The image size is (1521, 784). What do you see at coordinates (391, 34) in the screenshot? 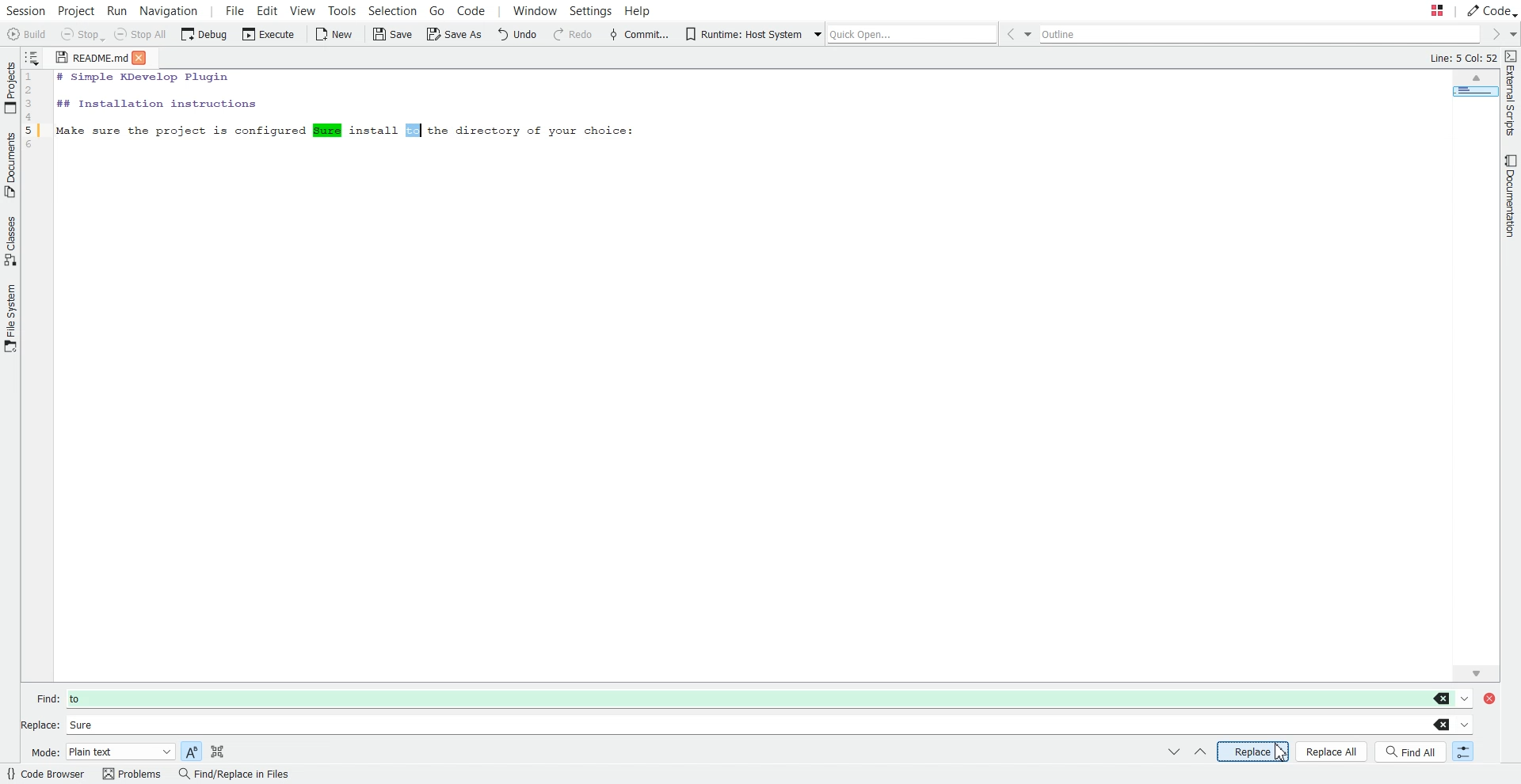
I see `Save` at bounding box center [391, 34].